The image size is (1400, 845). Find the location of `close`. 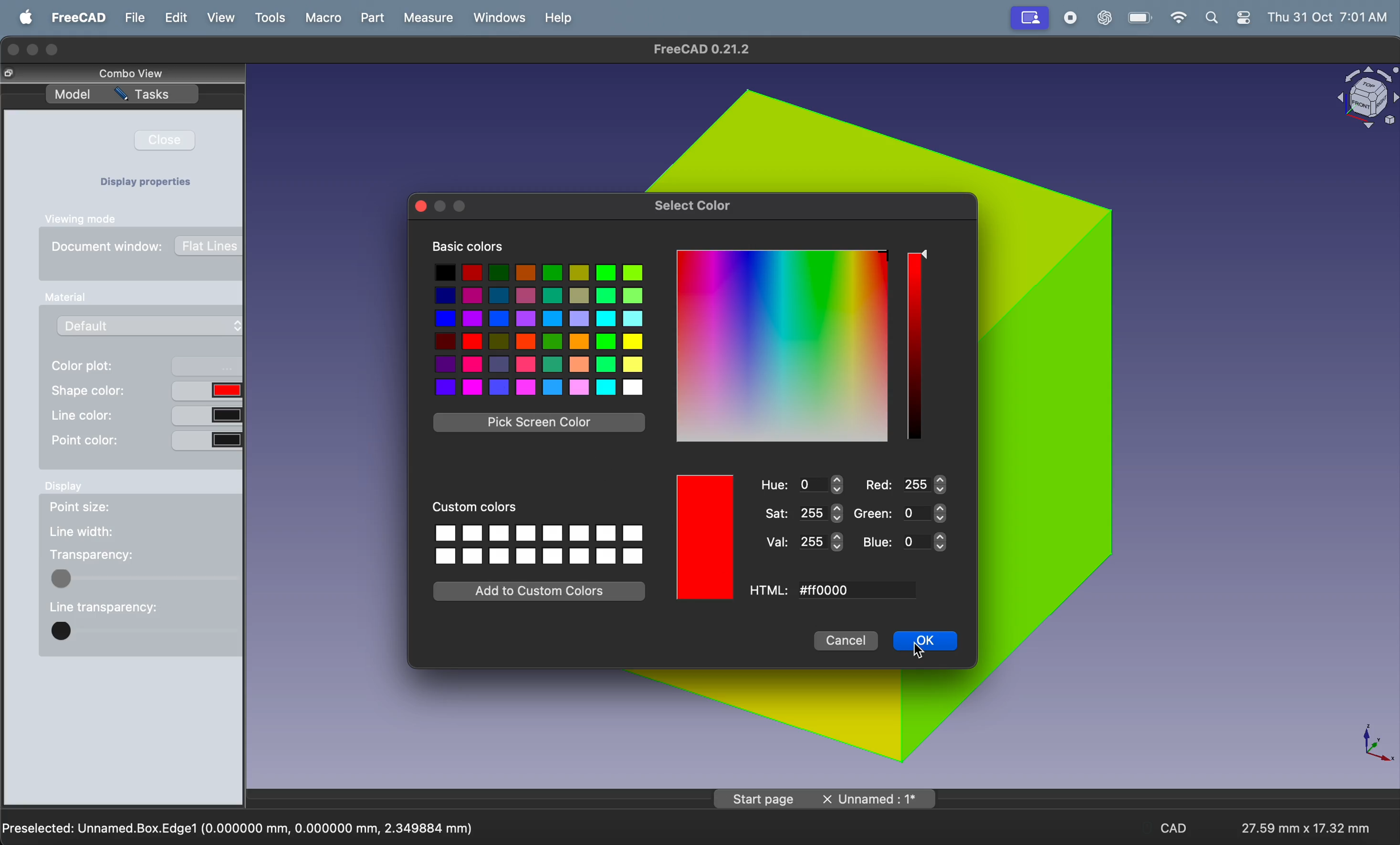

close is located at coordinates (171, 140).